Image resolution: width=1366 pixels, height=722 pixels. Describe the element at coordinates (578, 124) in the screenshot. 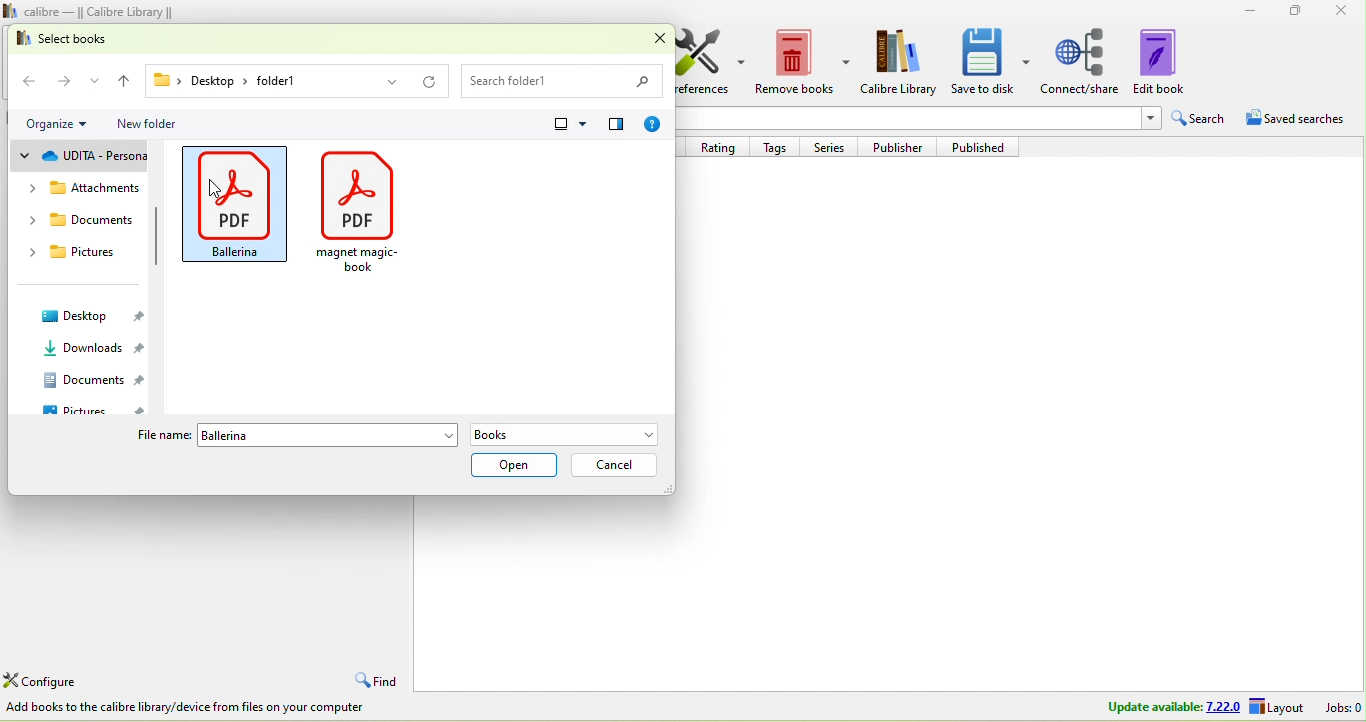

I see `view` at that location.